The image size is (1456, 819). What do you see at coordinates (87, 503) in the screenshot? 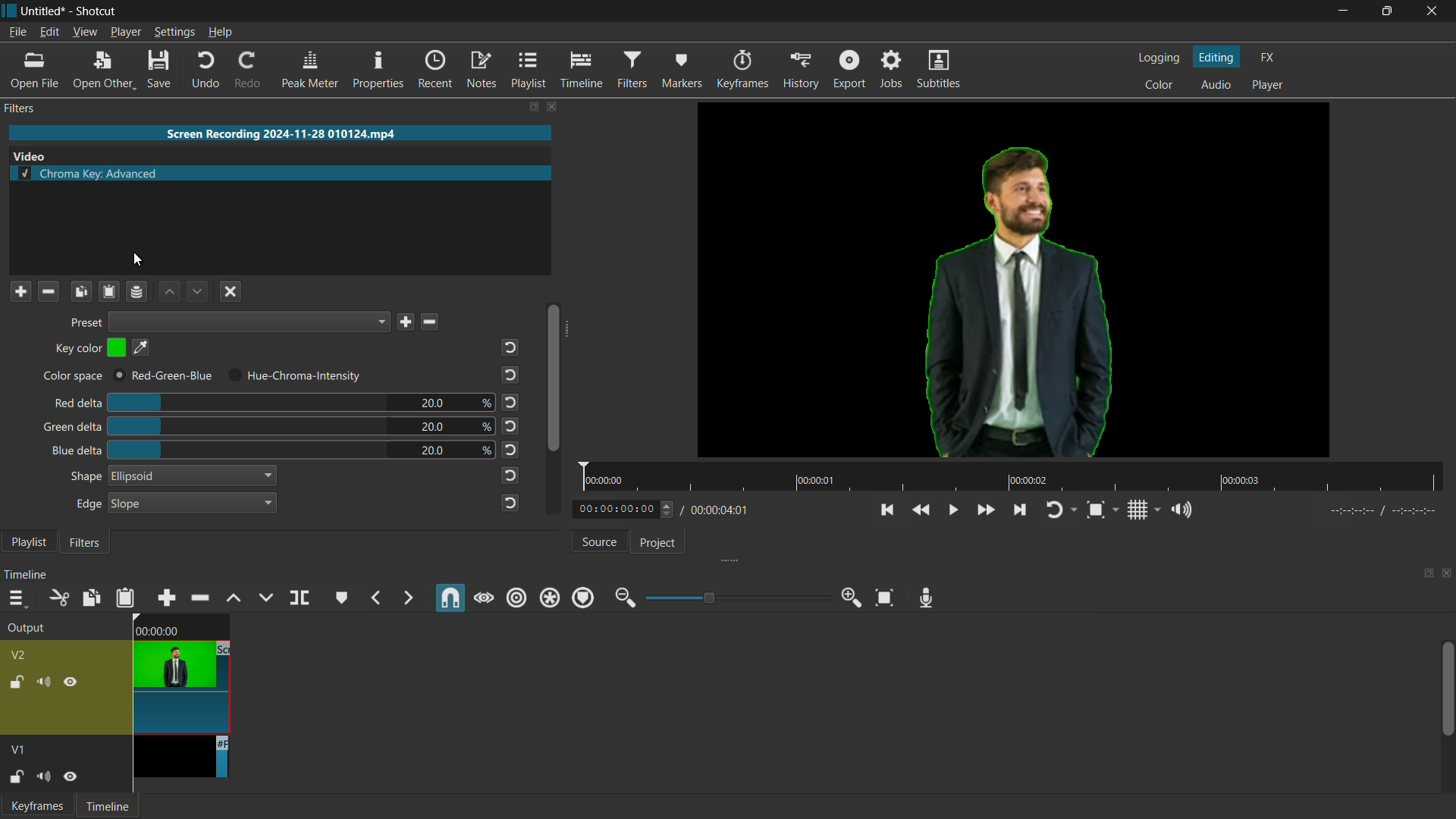
I see `edge` at bounding box center [87, 503].